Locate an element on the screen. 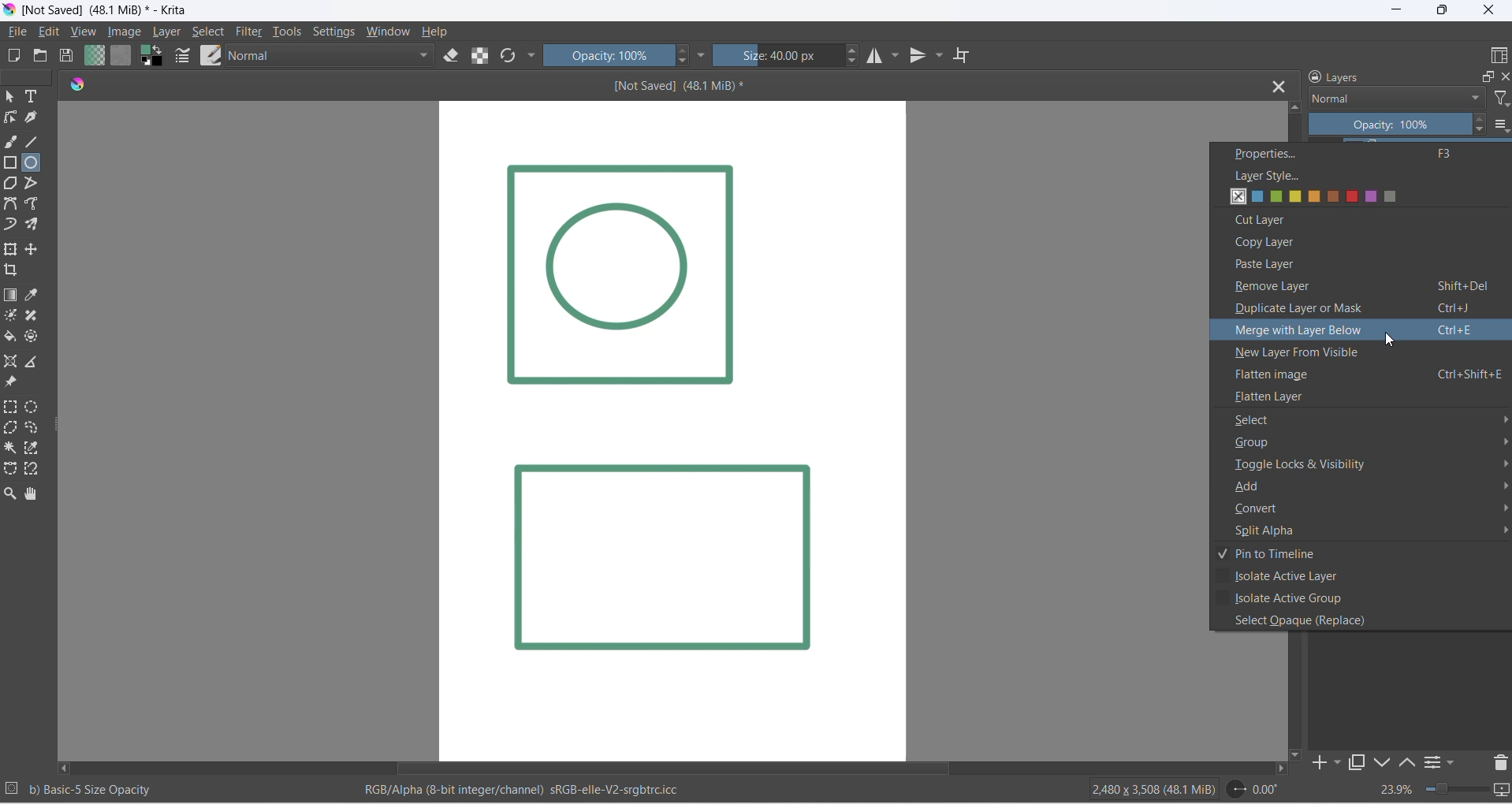 Image resolution: width=1512 pixels, height=804 pixels. mask tool is located at coordinates (11, 316).